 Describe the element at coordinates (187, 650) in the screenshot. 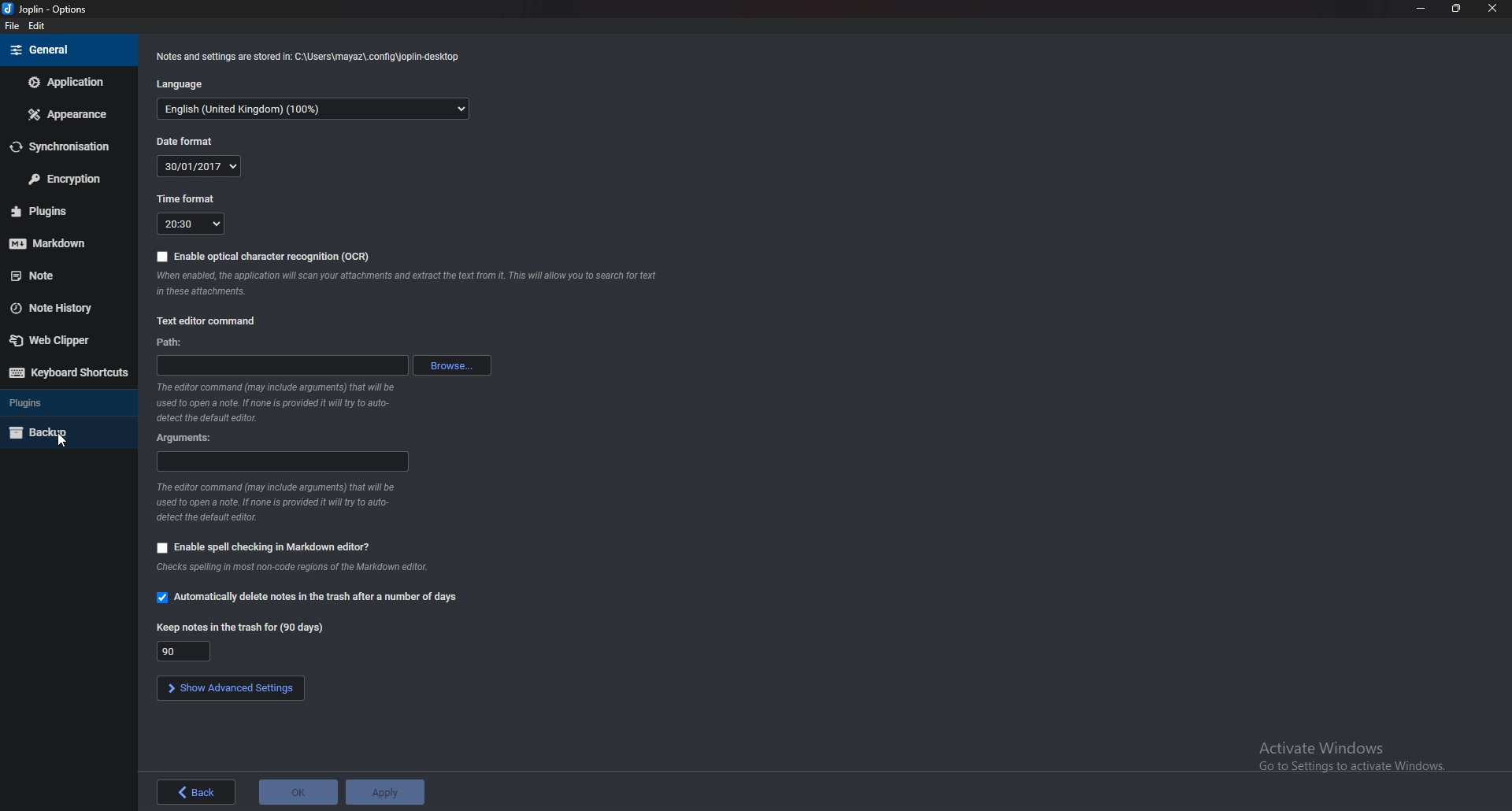

I see `90 days` at that location.